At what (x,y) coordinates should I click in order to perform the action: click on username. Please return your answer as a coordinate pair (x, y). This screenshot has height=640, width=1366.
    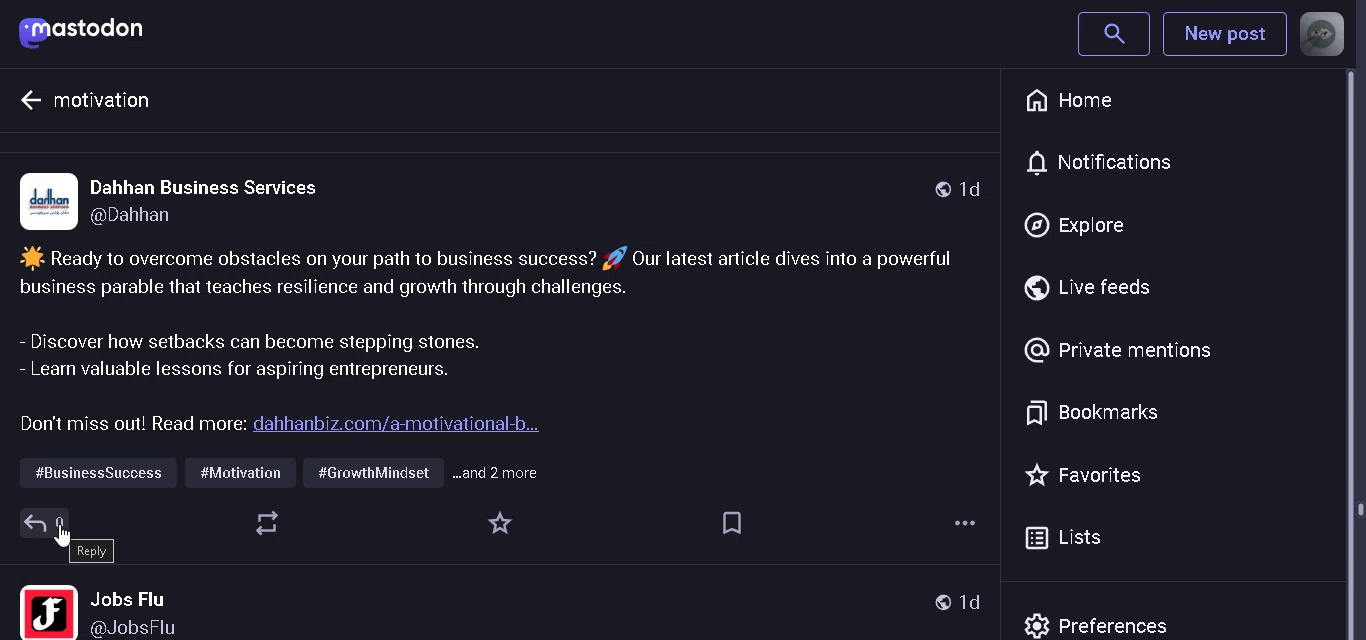
    Looking at the image, I should click on (214, 187).